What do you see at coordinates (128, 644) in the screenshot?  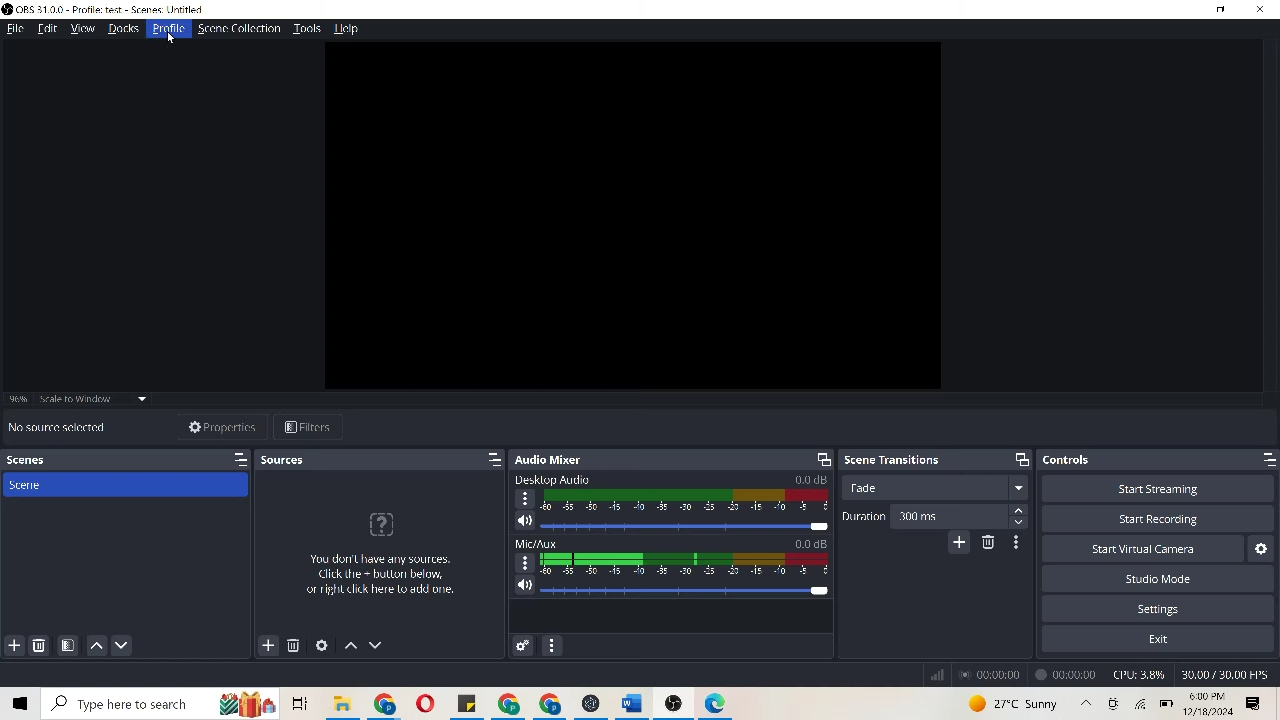 I see `move scene down` at bounding box center [128, 644].